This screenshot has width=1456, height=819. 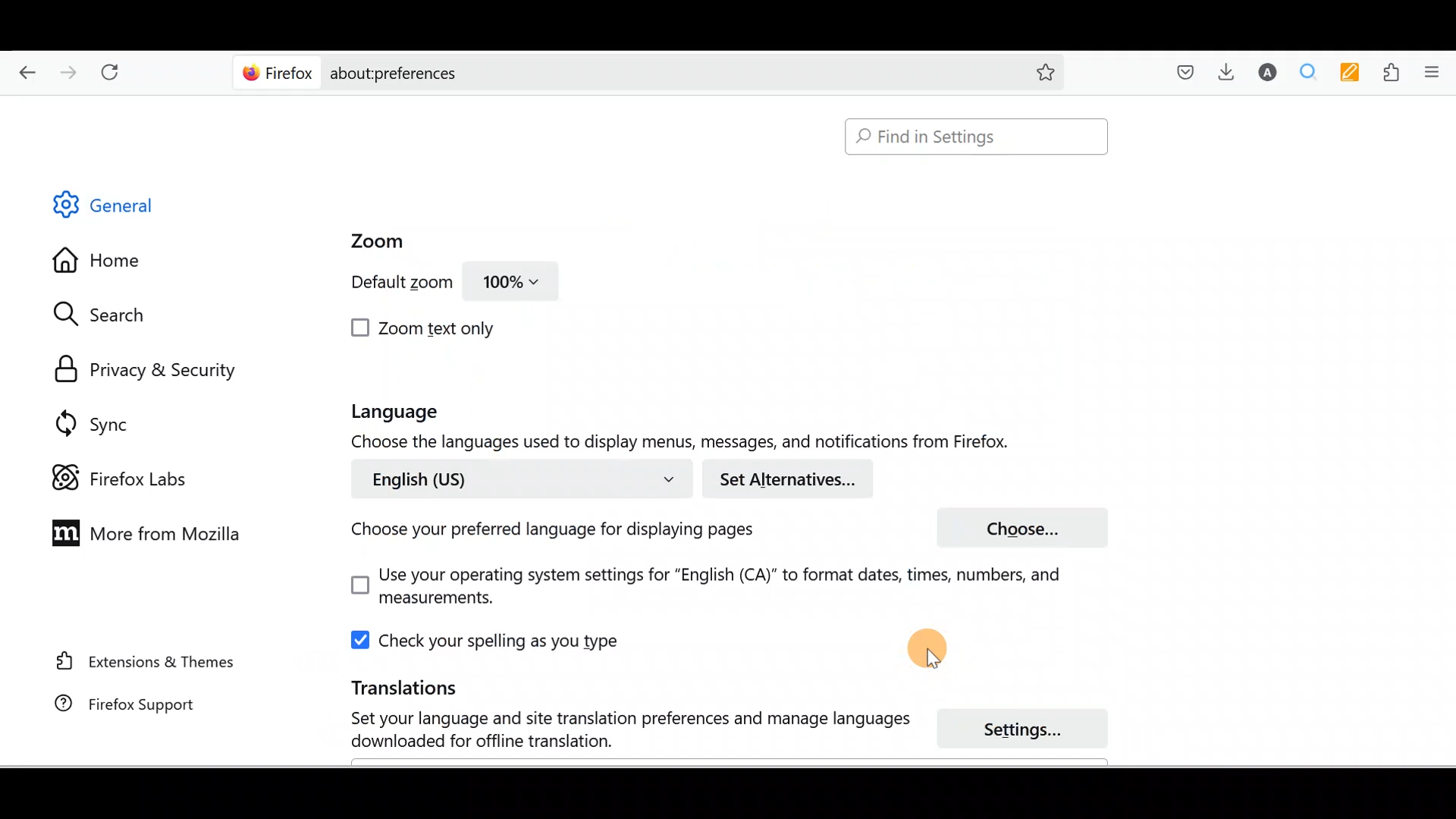 What do you see at coordinates (425, 328) in the screenshot?
I see `Zoom text only` at bounding box center [425, 328].